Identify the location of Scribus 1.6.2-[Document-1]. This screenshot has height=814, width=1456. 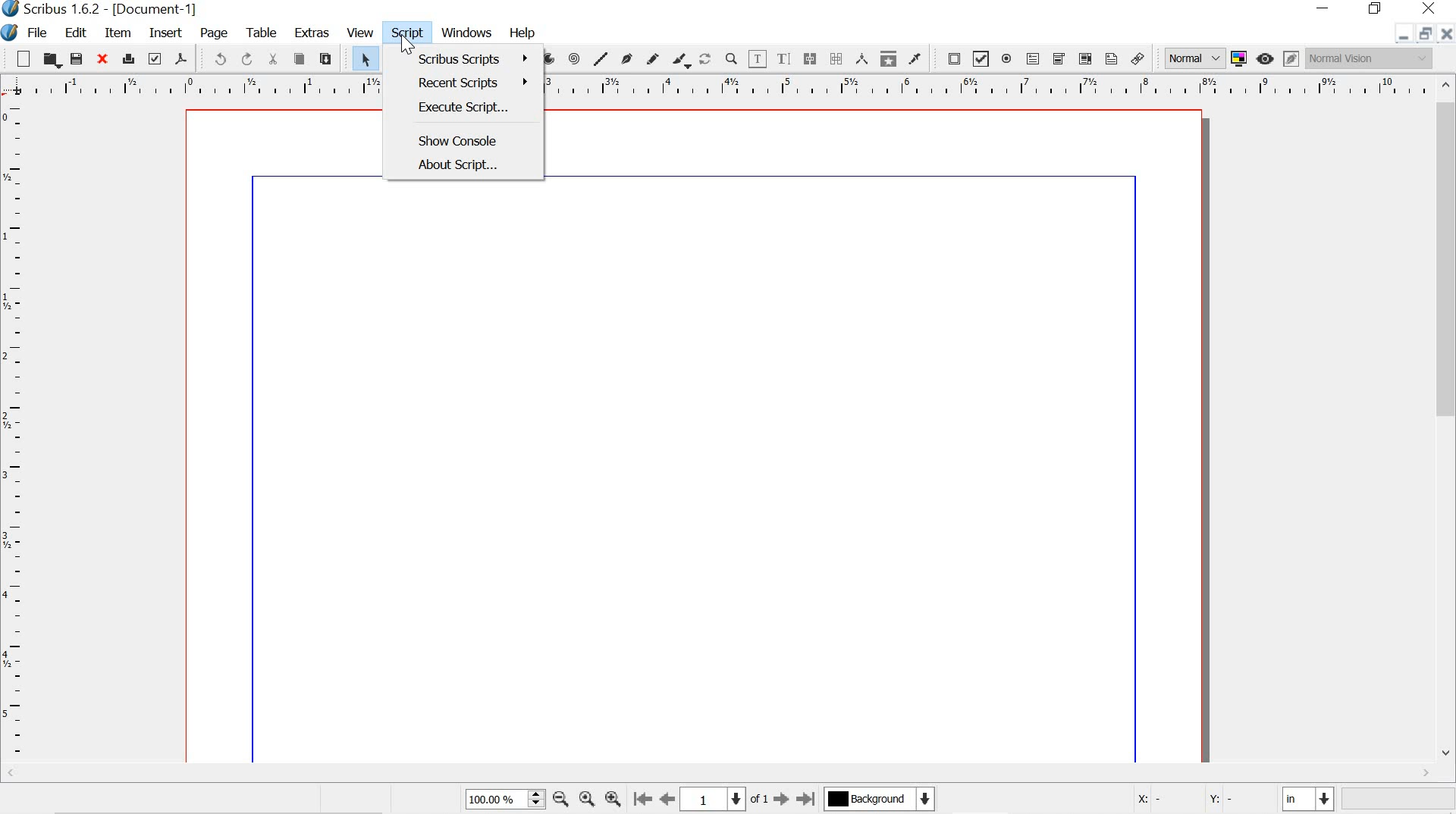
(123, 9).